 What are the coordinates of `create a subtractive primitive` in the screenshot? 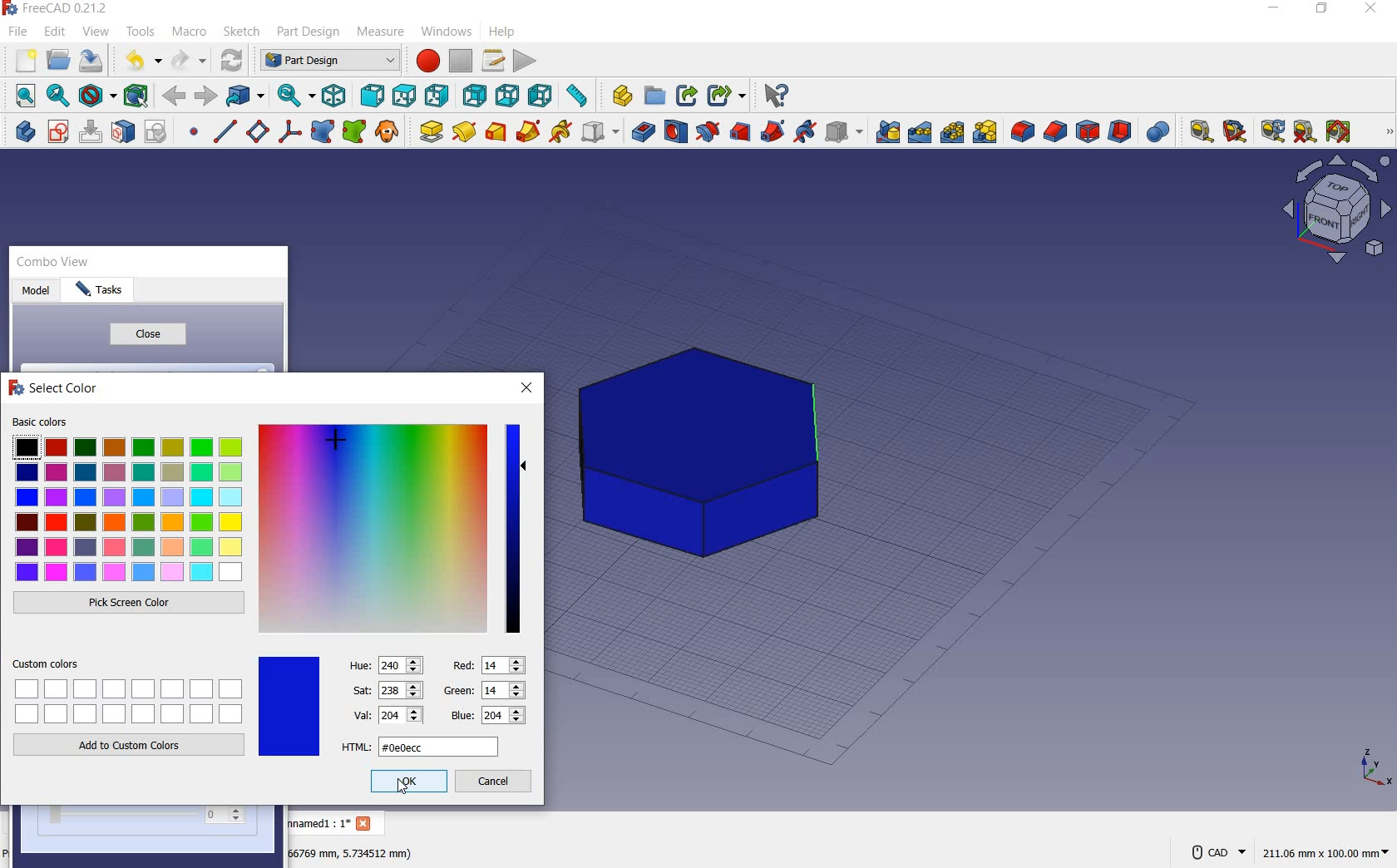 It's located at (844, 131).